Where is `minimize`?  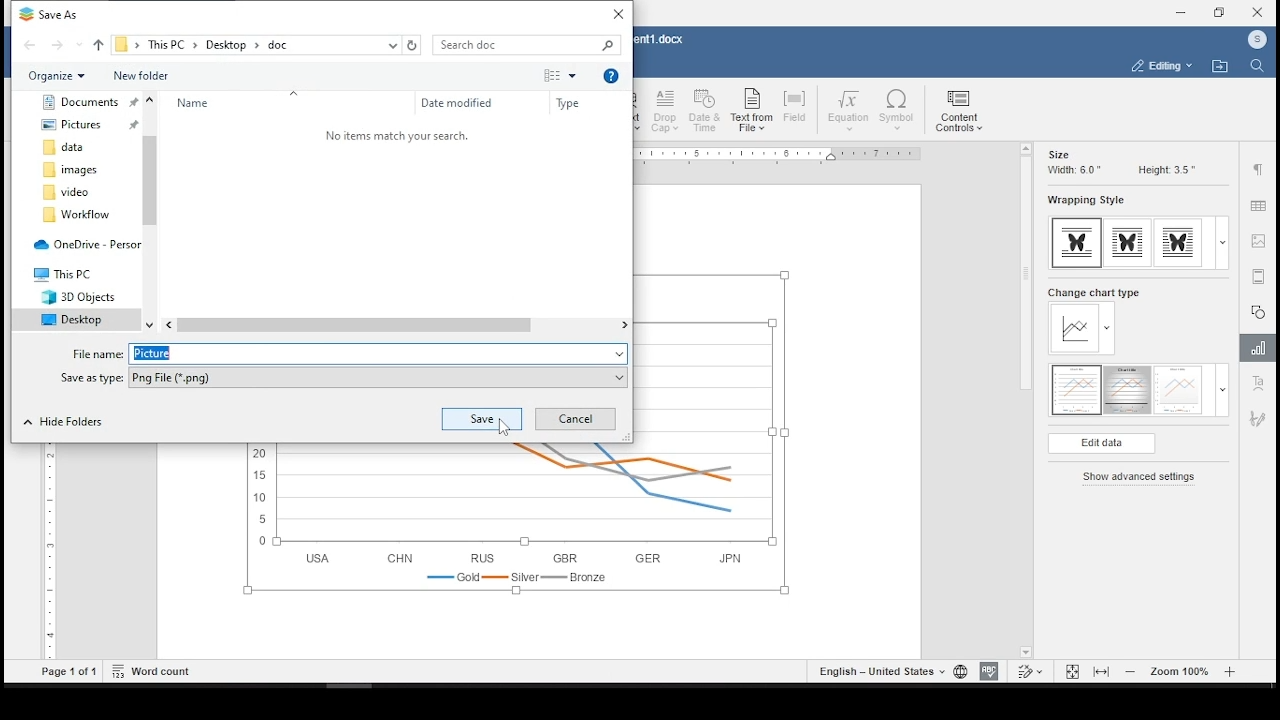 minimize is located at coordinates (1181, 12).